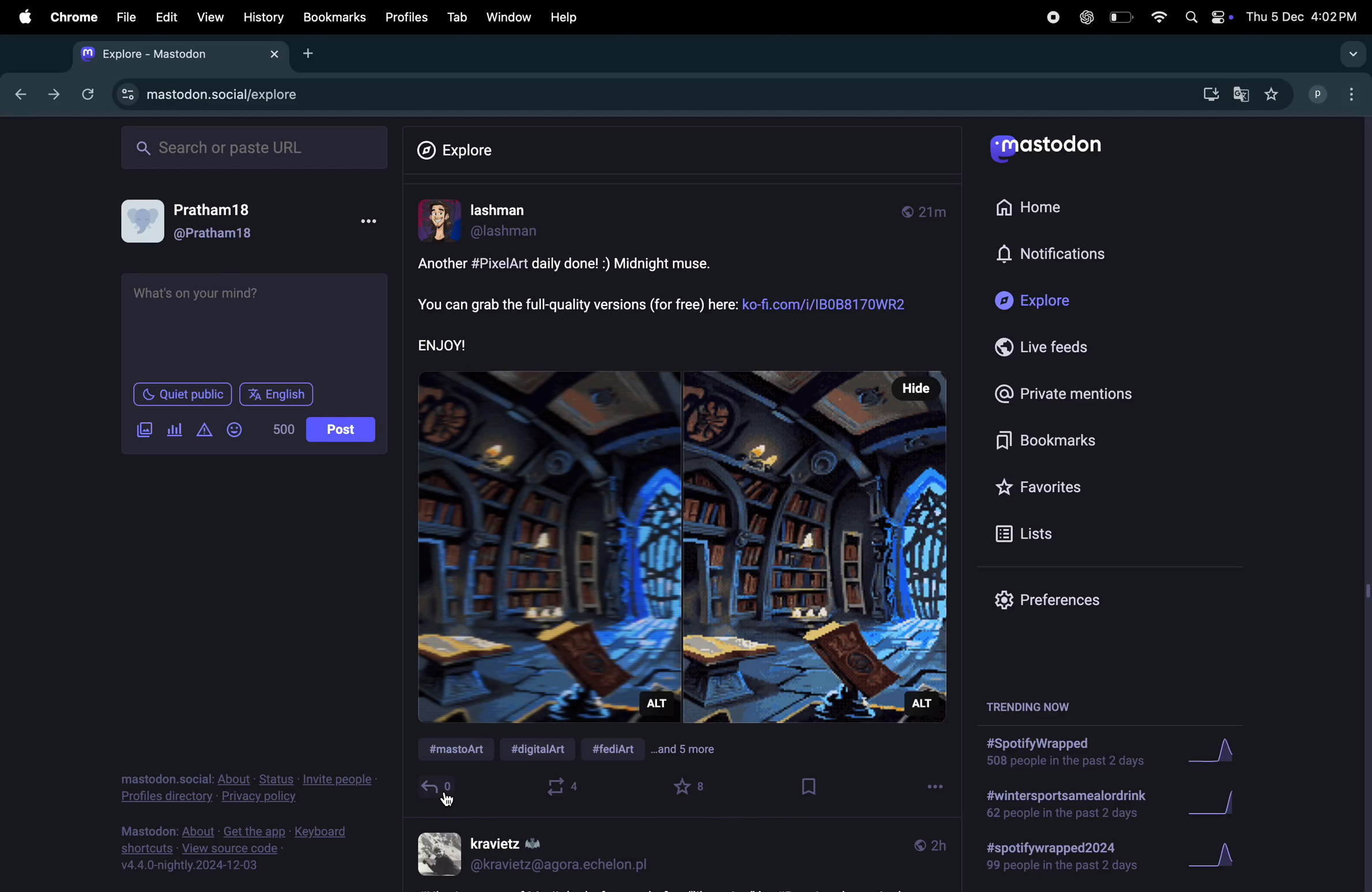 The width and height of the screenshot is (1372, 892). What do you see at coordinates (1351, 56) in the screenshot?
I see `drop down` at bounding box center [1351, 56].